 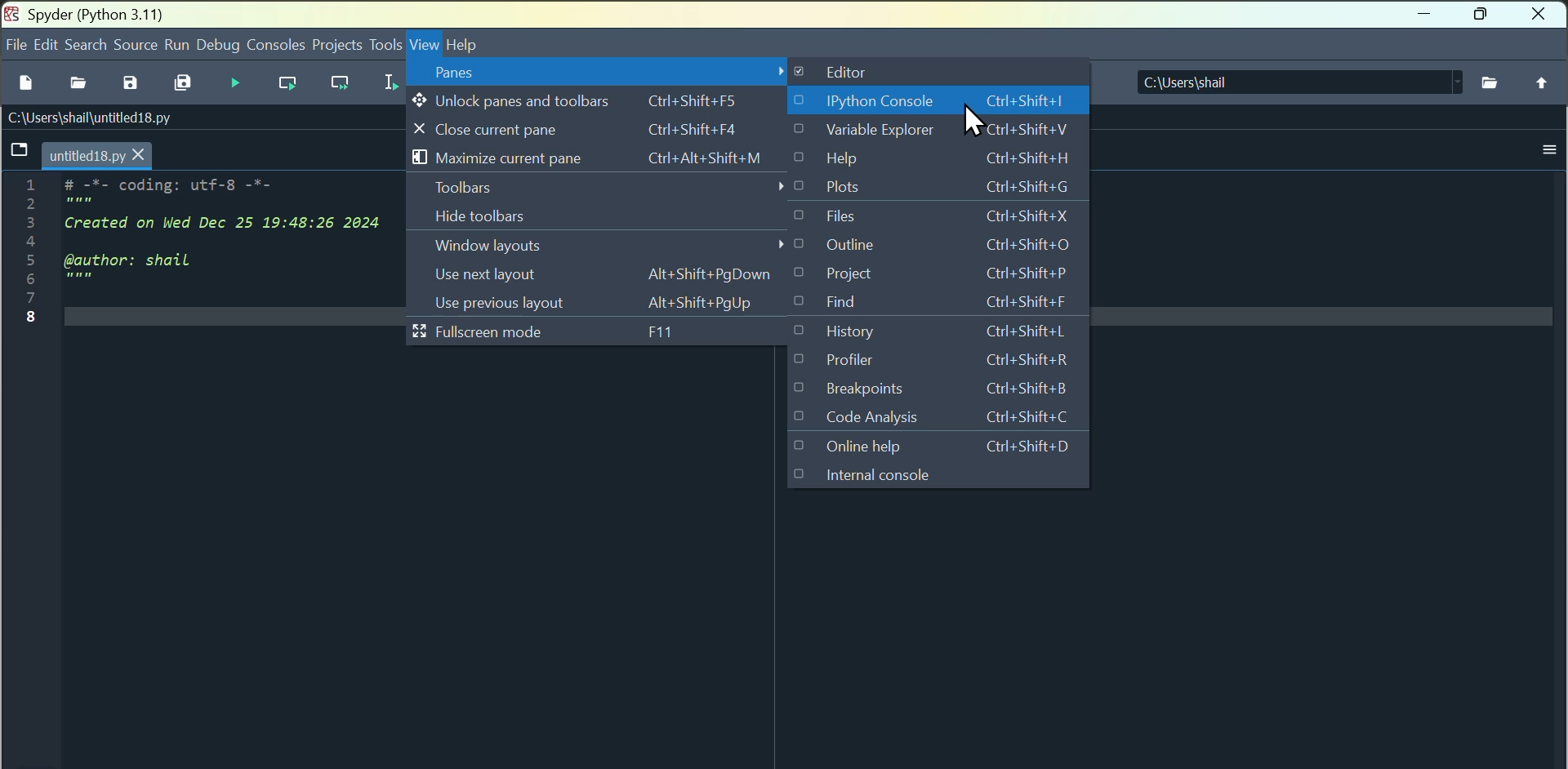 What do you see at coordinates (938, 360) in the screenshot?
I see `Profiler` at bounding box center [938, 360].